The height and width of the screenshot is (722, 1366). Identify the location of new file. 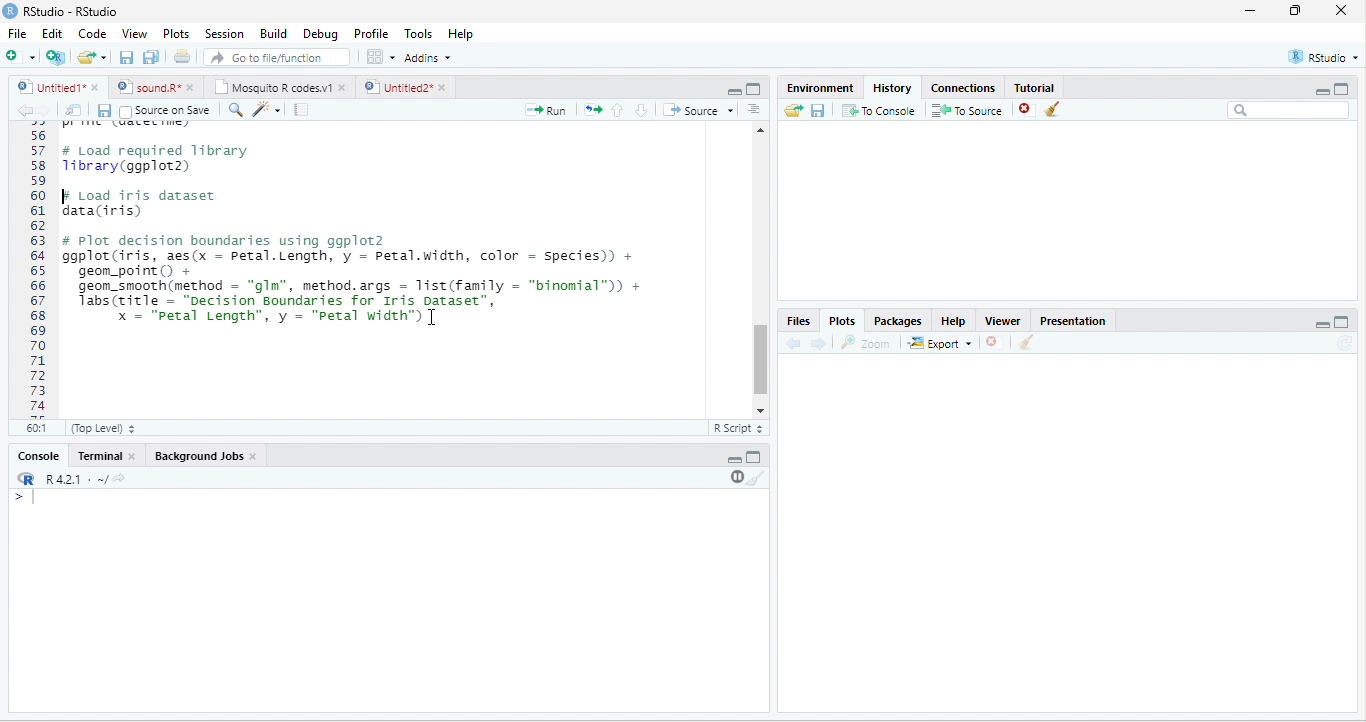
(20, 56).